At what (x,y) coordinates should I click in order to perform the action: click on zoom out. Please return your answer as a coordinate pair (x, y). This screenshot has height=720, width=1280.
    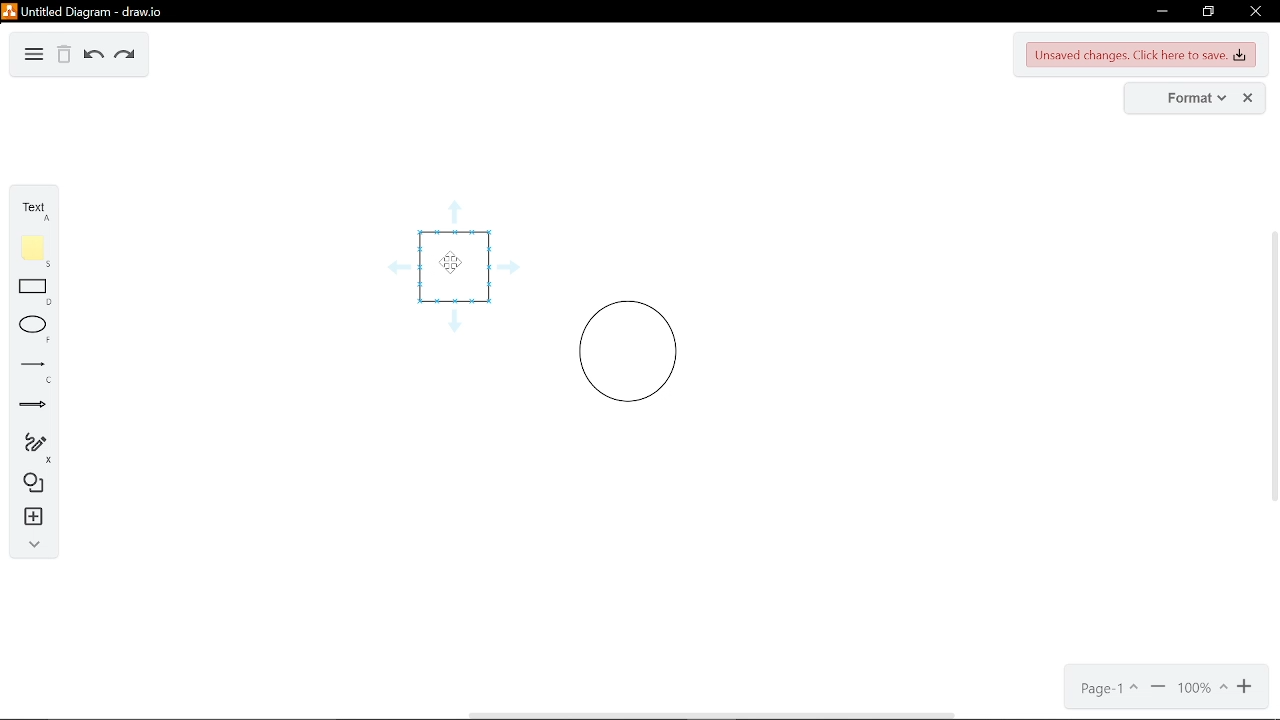
    Looking at the image, I should click on (1246, 688).